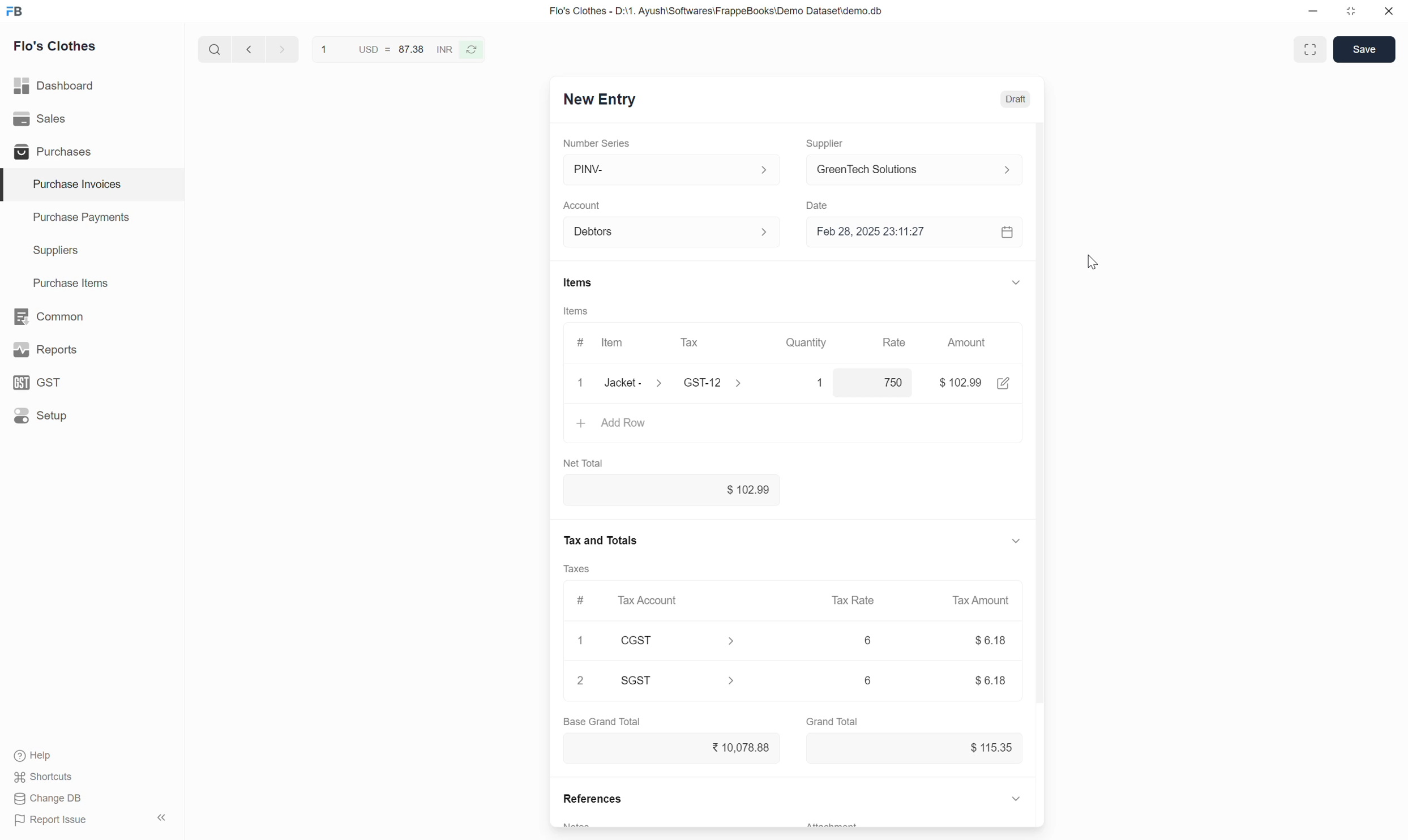 This screenshot has height=840, width=1408. Describe the element at coordinates (580, 640) in the screenshot. I see `1` at that location.